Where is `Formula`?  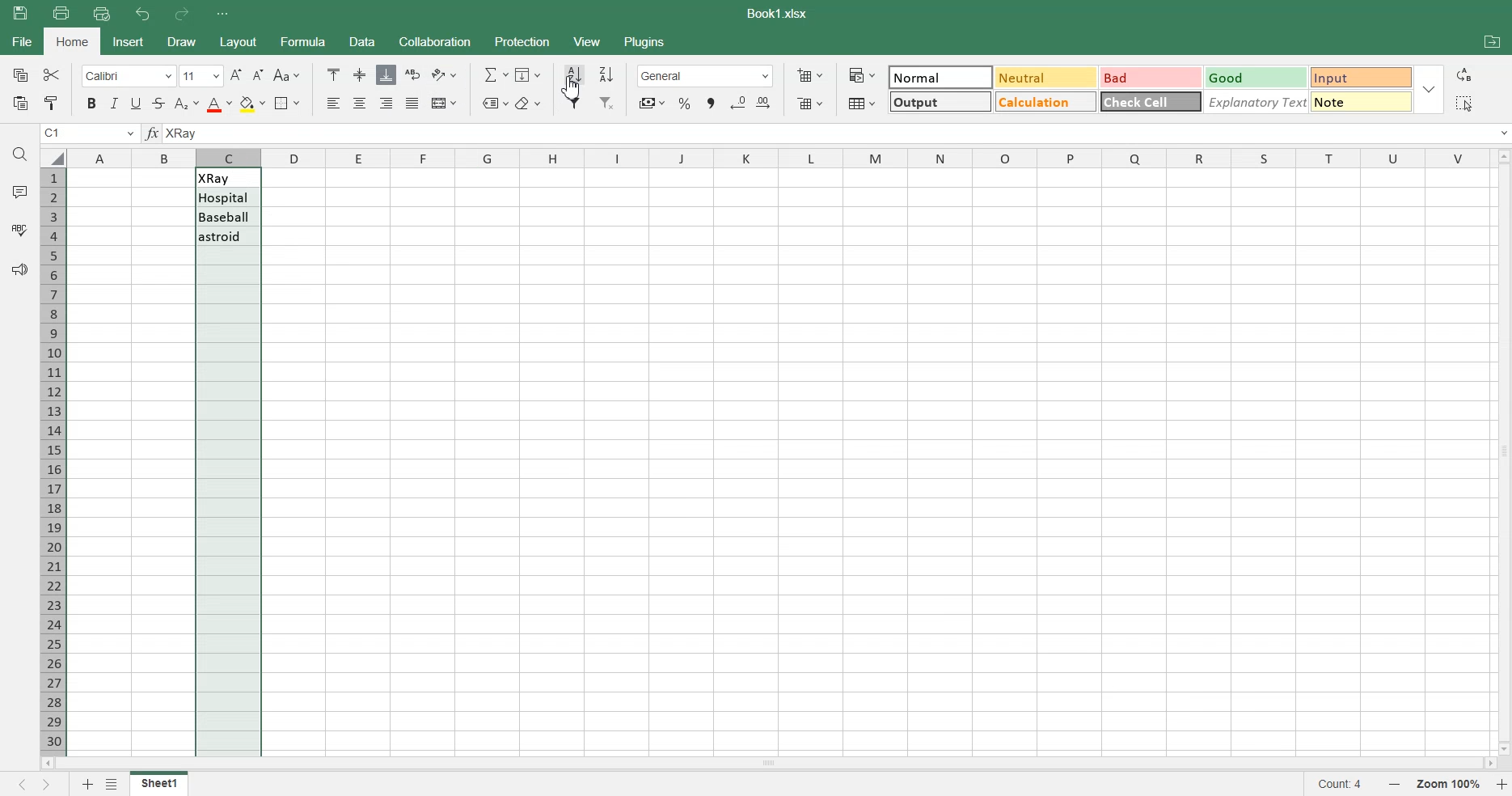 Formula is located at coordinates (301, 40).